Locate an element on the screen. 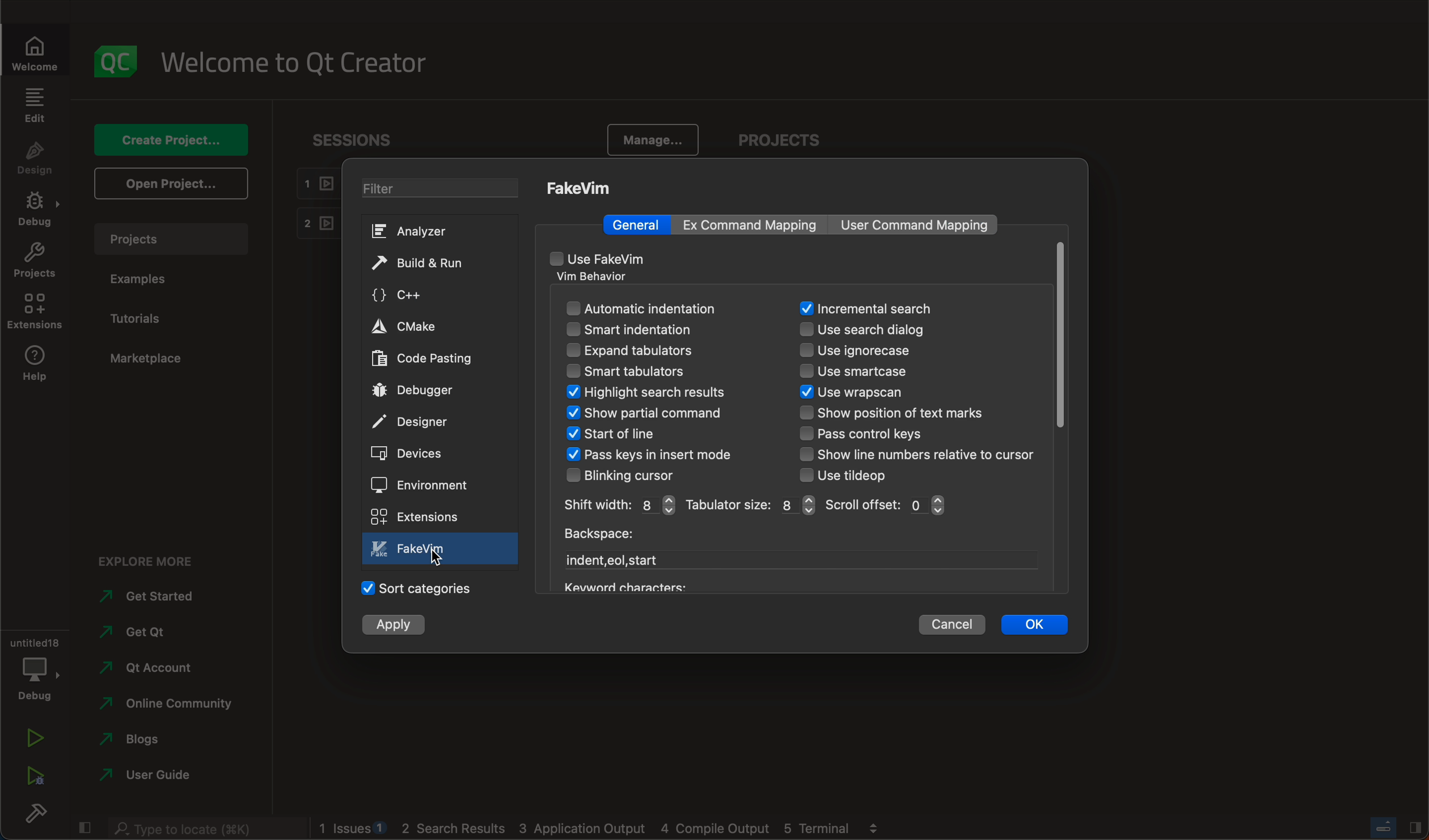  welcome is located at coordinates (36, 53).